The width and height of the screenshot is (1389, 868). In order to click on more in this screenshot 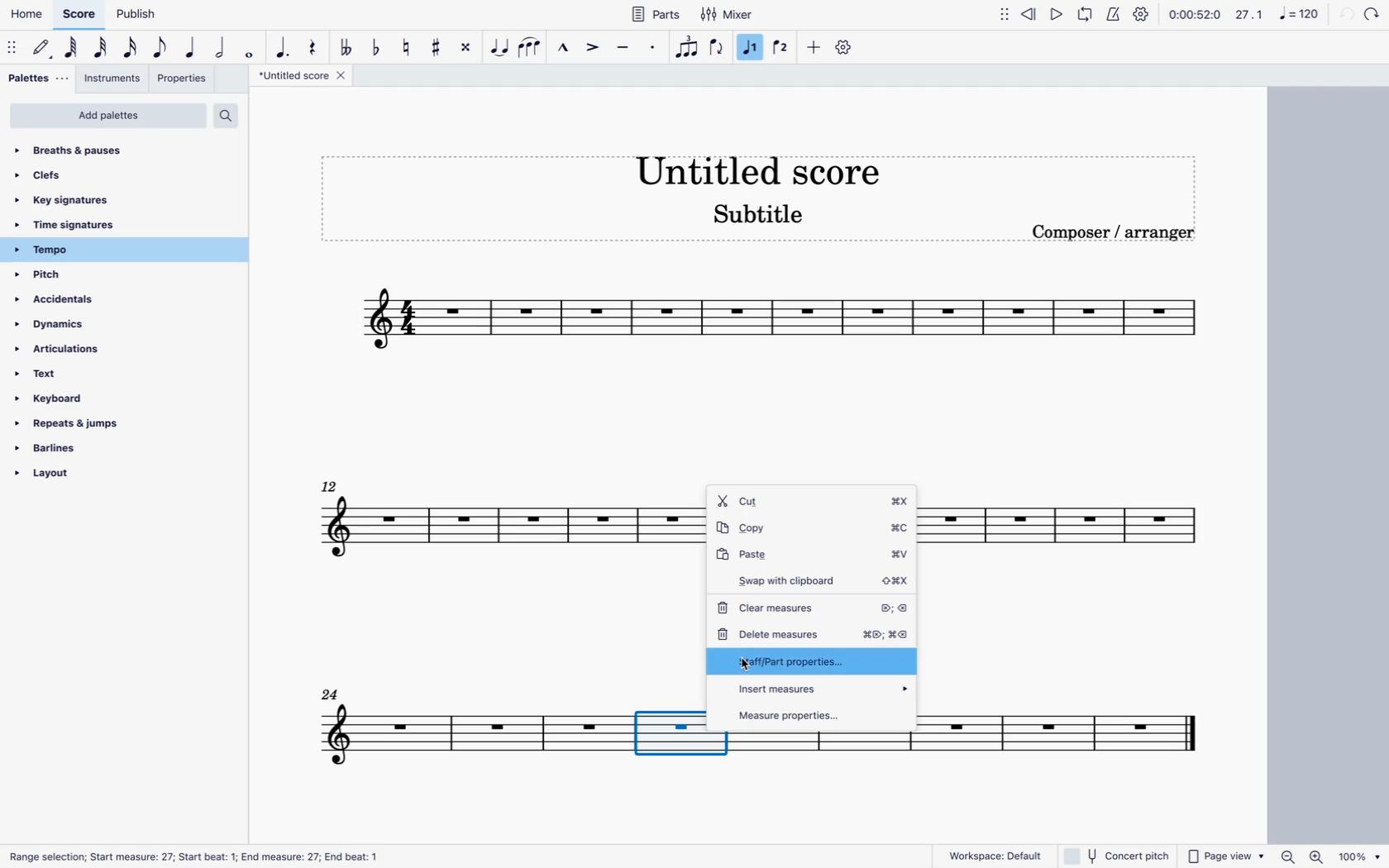, I will do `click(814, 46)`.